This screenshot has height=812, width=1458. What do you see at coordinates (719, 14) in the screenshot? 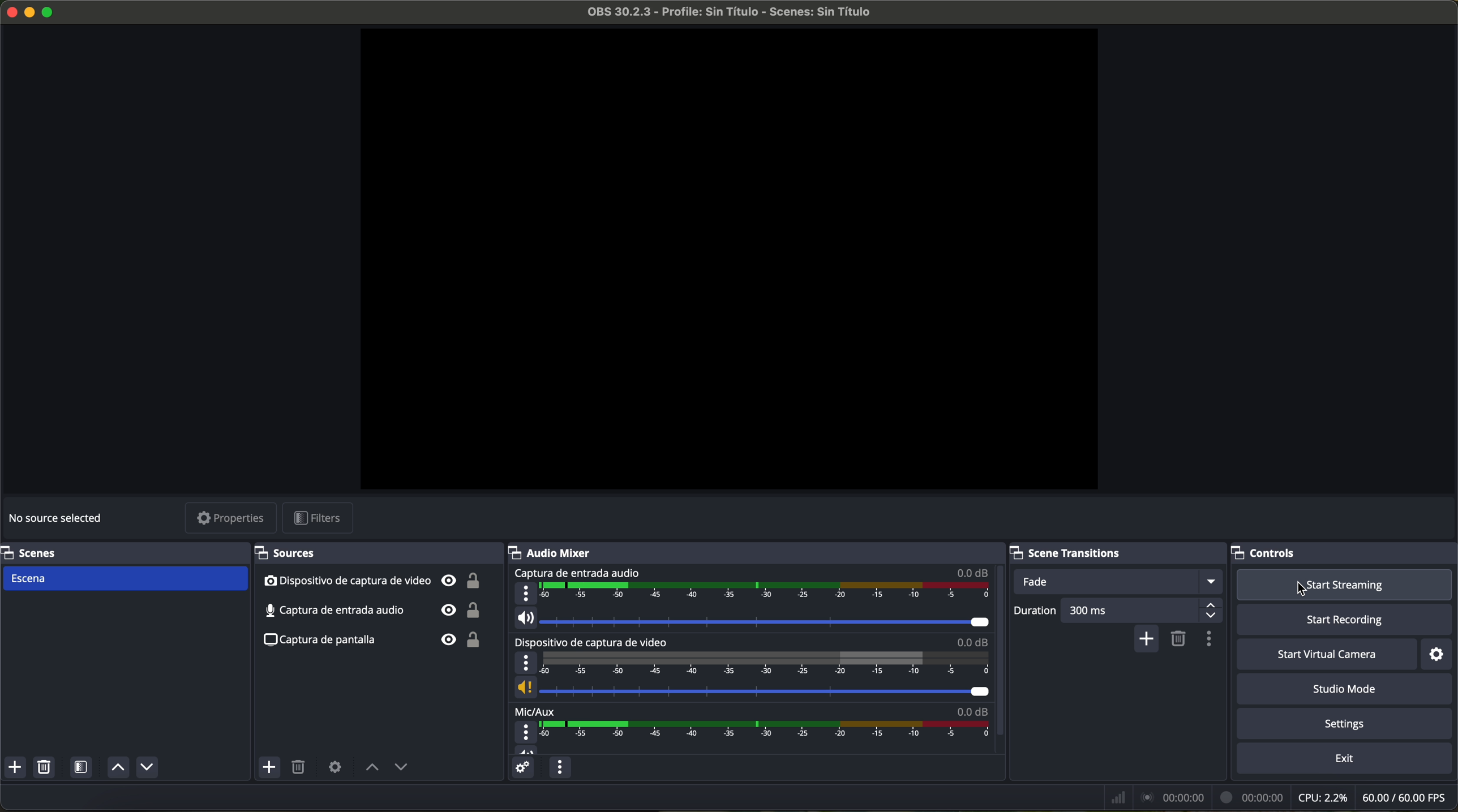
I see `file name` at bounding box center [719, 14].